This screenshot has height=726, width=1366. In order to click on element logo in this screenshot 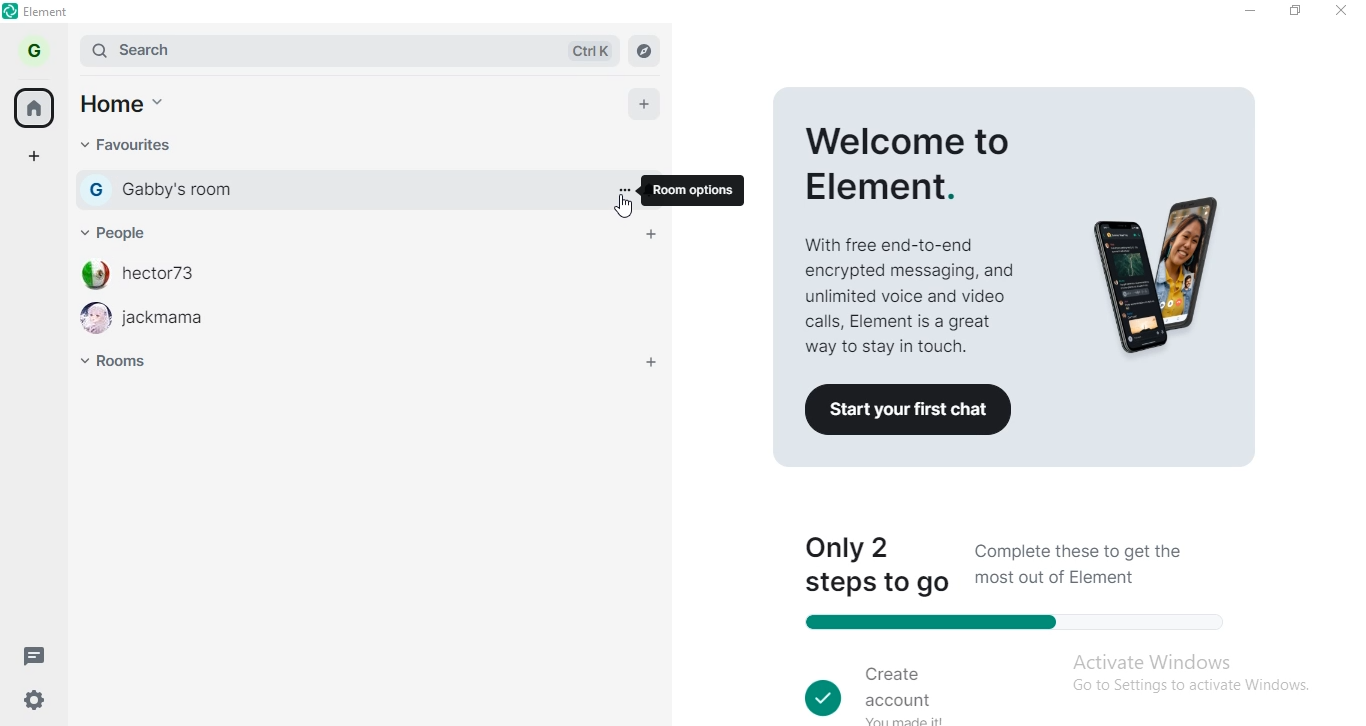, I will do `click(11, 11)`.